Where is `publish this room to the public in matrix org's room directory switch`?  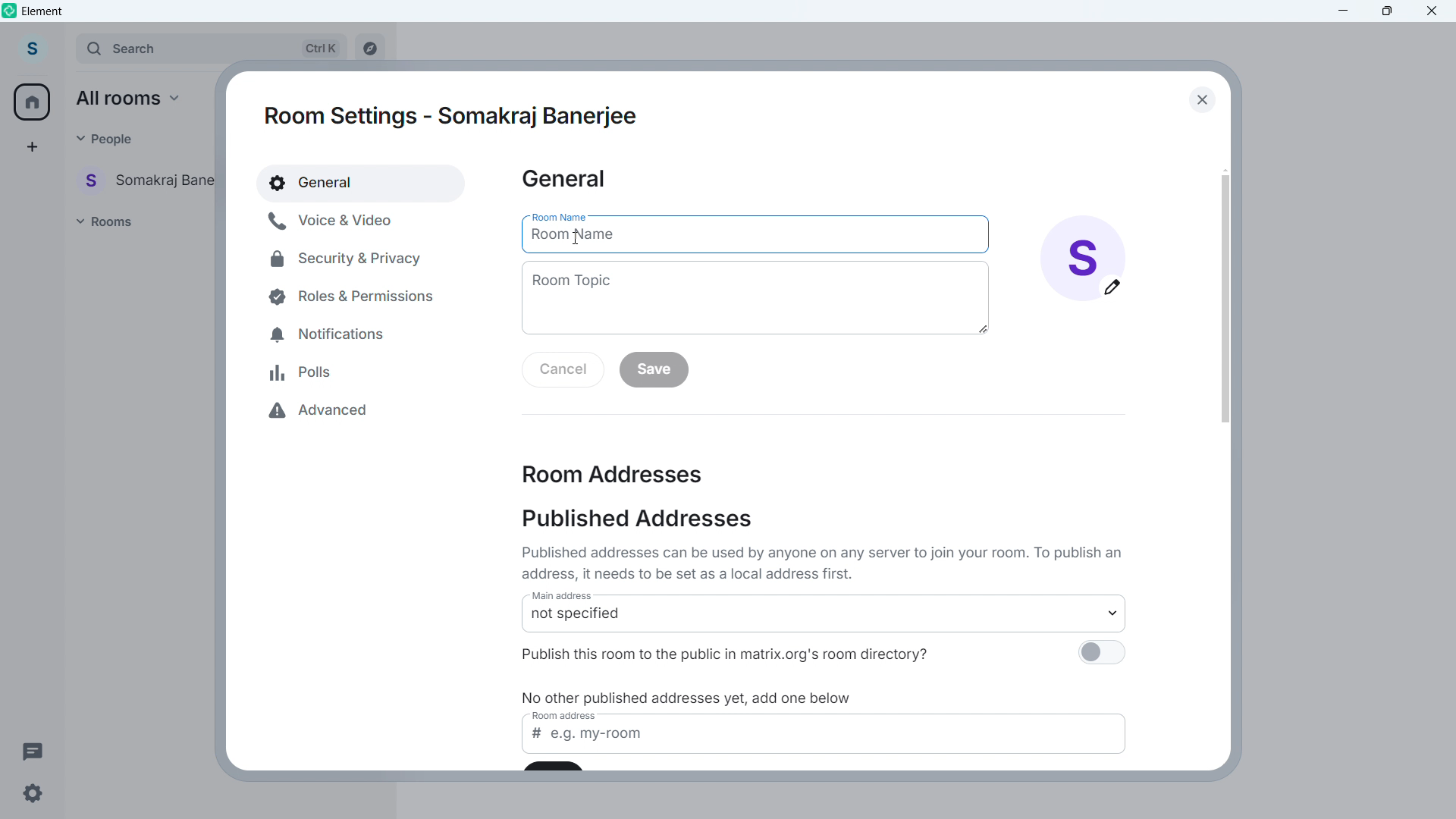 publish this room to the public in matrix org's room directory switch is located at coordinates (1100, 656).